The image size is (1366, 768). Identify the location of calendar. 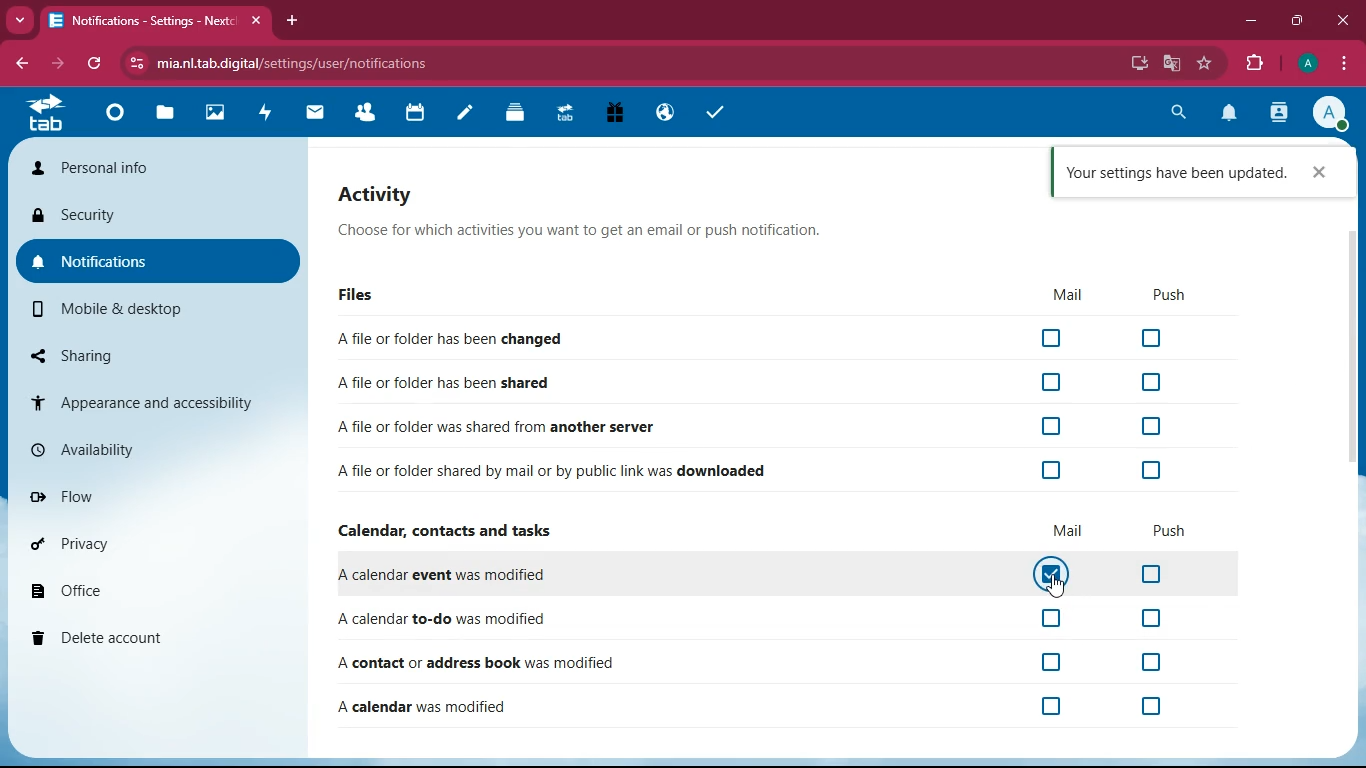
(419, 114).